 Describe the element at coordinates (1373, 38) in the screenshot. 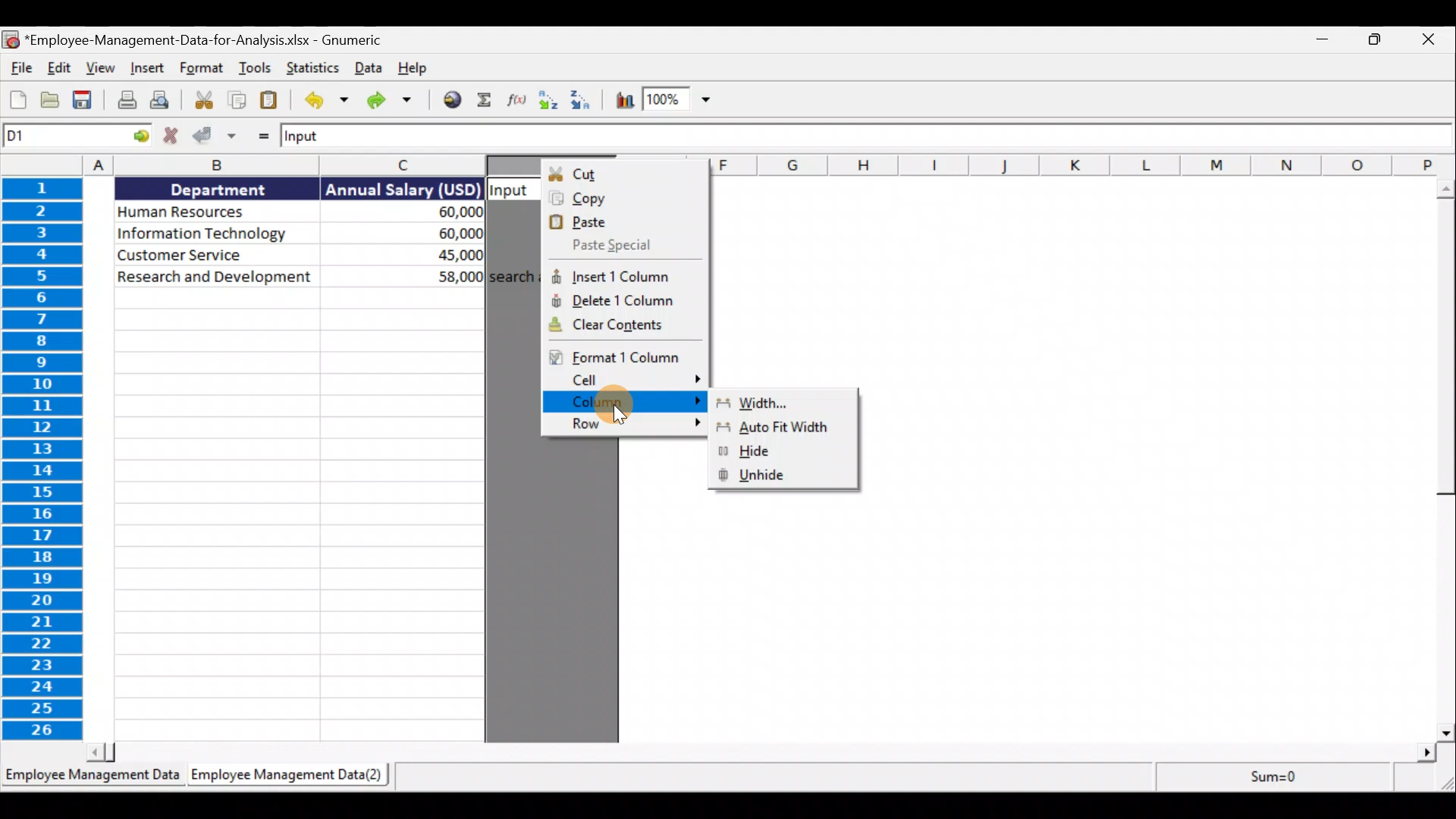

I see `Maximise` at that location.